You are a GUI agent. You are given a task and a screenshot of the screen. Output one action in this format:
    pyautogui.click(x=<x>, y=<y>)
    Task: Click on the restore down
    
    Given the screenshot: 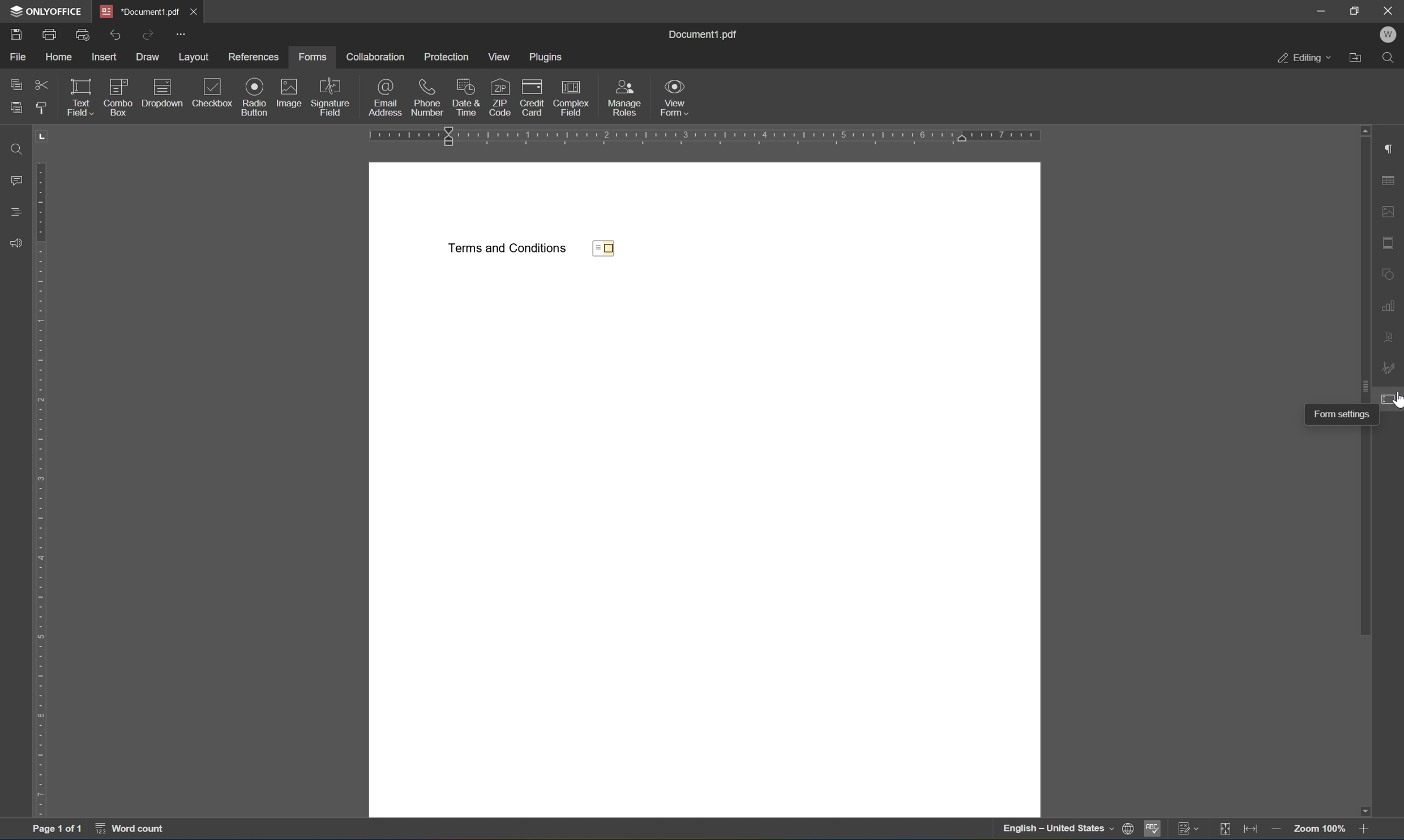 What is the action you would take?
    pyautogui.click(x=1359, y=10)
    